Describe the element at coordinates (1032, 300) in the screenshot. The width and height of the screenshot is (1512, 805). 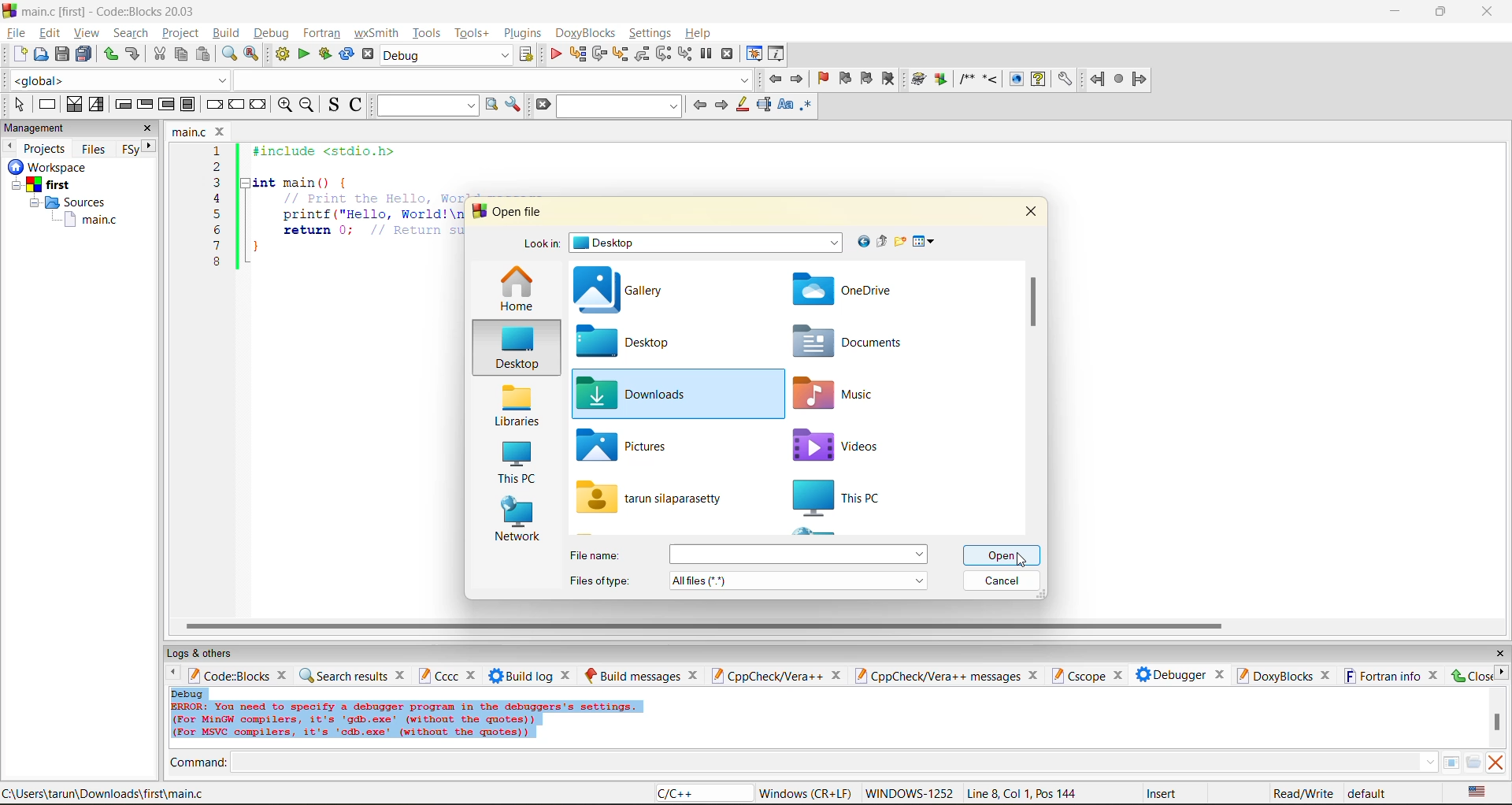
I see `vertical scroll bar` at that location.